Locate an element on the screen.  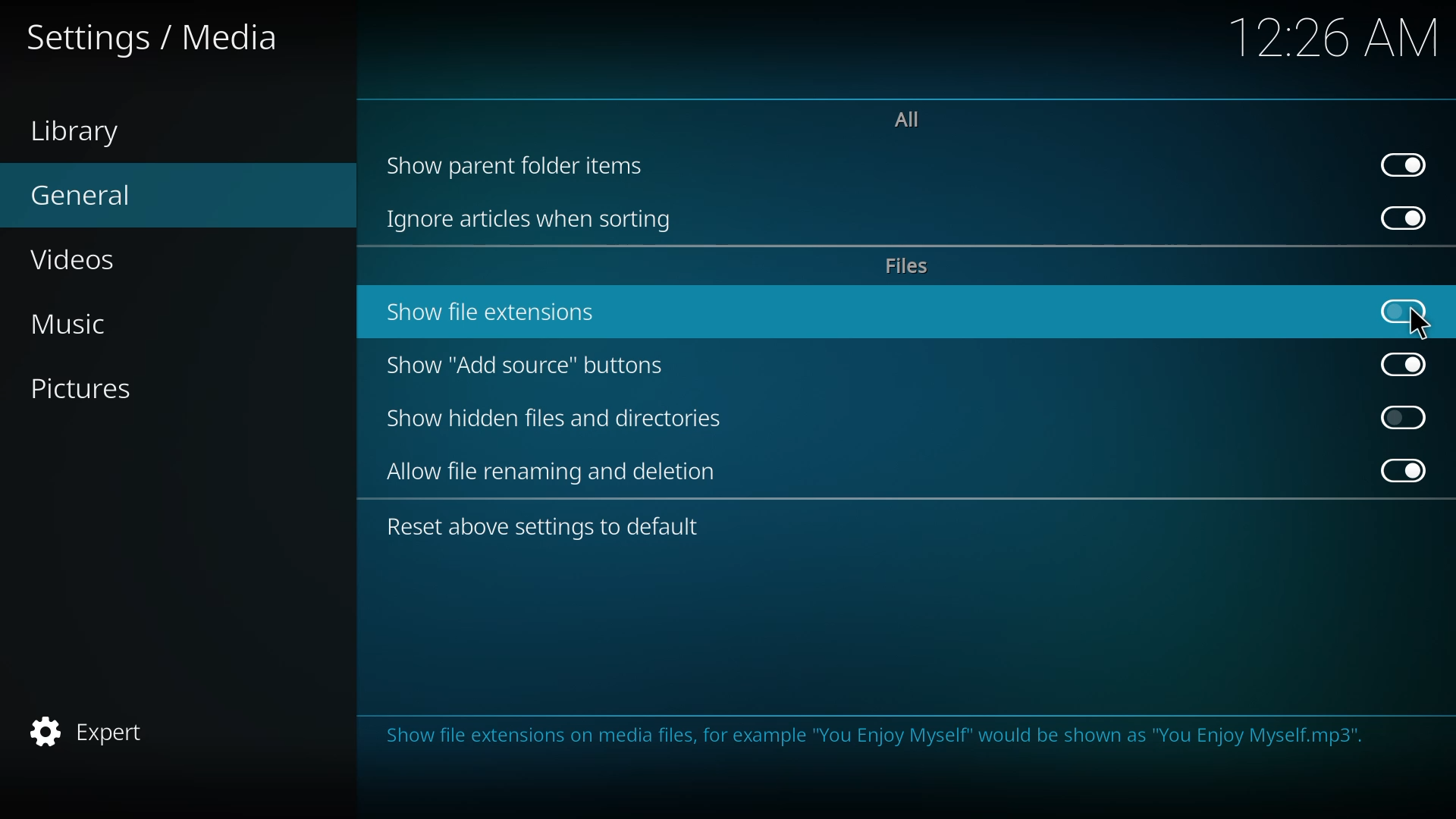
info is located at coordinates (871, 738).